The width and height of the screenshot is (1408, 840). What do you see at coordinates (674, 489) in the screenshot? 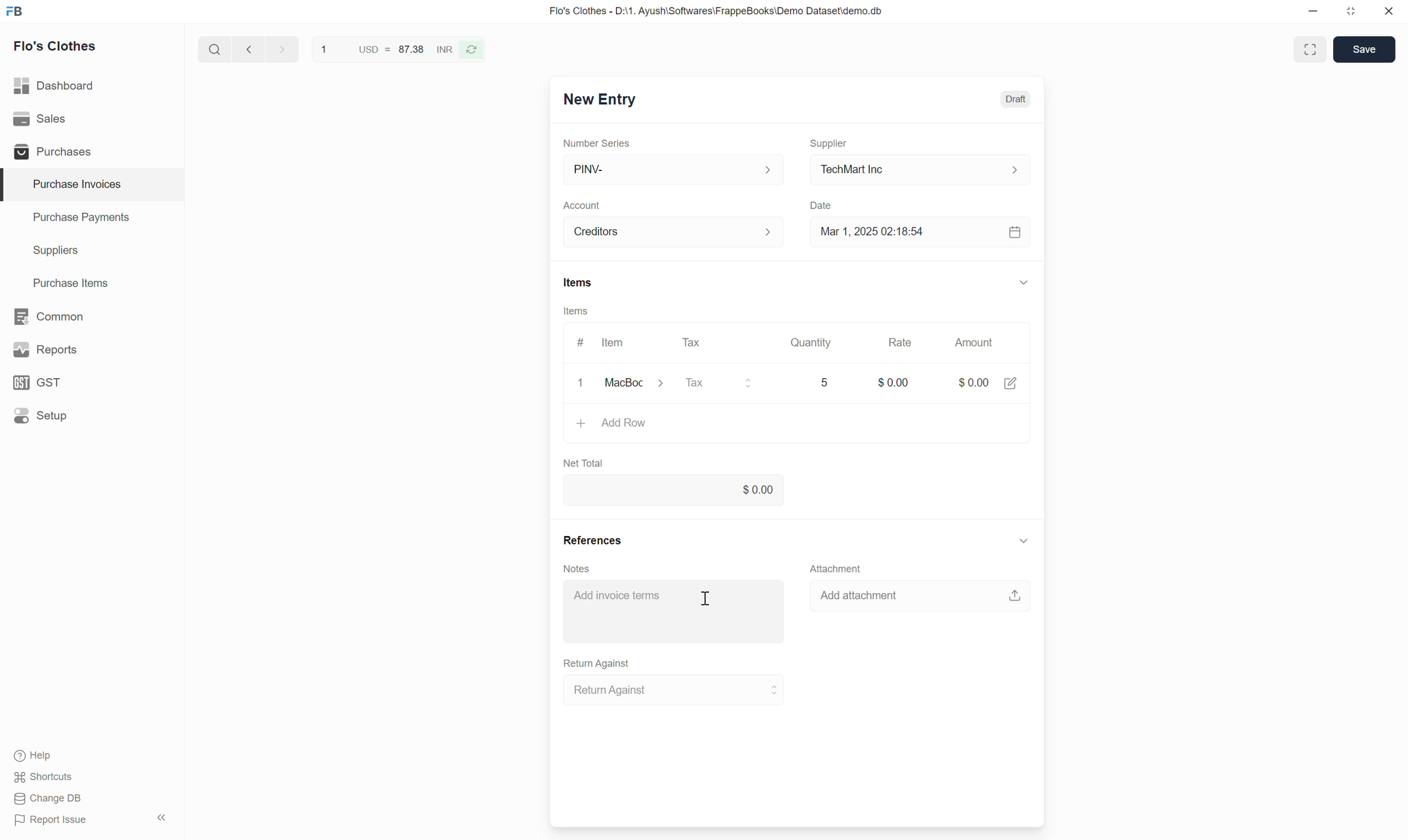
I see `0.00` at bounding box center [674, 489].